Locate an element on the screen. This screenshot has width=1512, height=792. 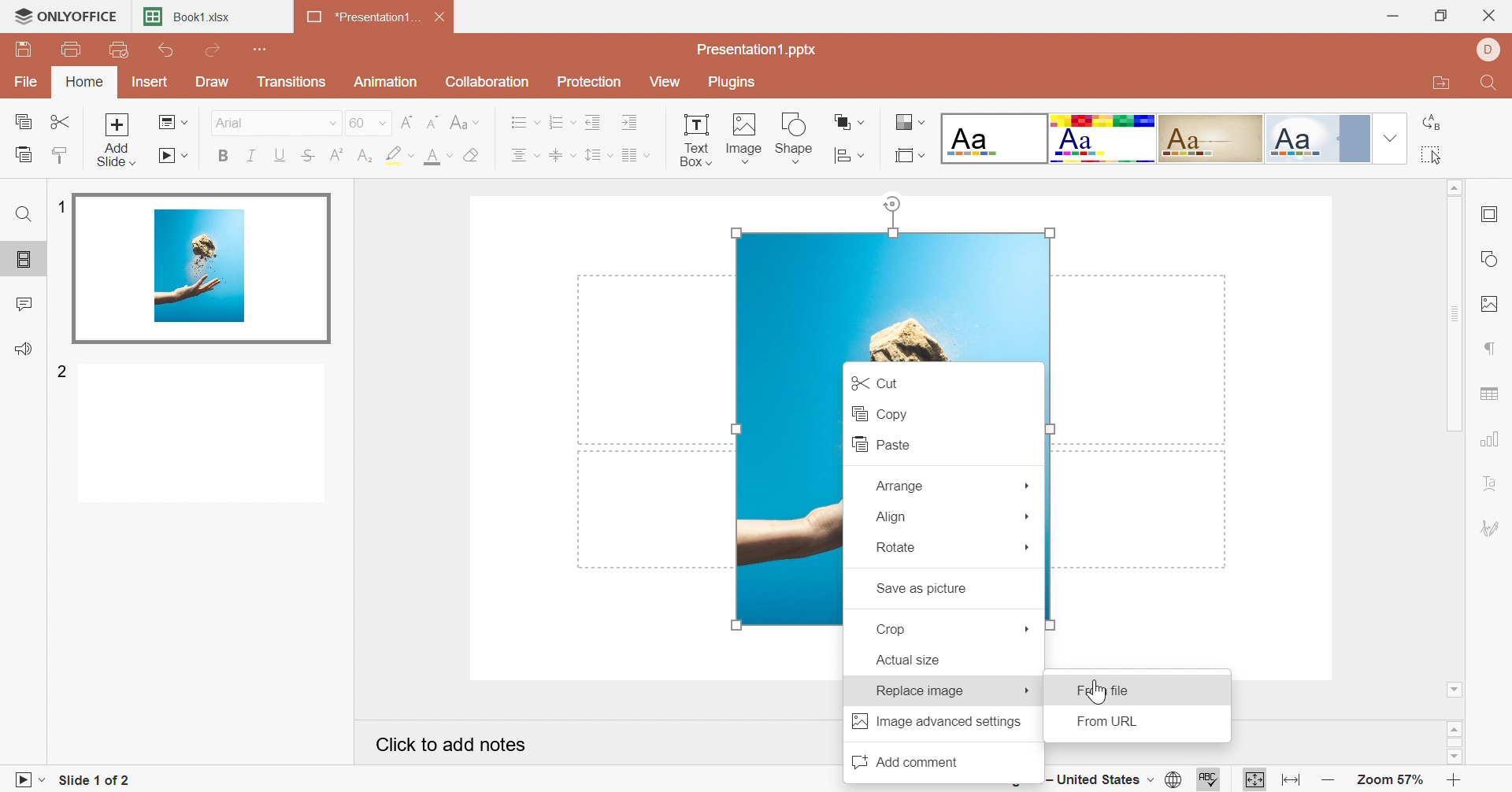
Plugins is located at coordinates (735, 83).